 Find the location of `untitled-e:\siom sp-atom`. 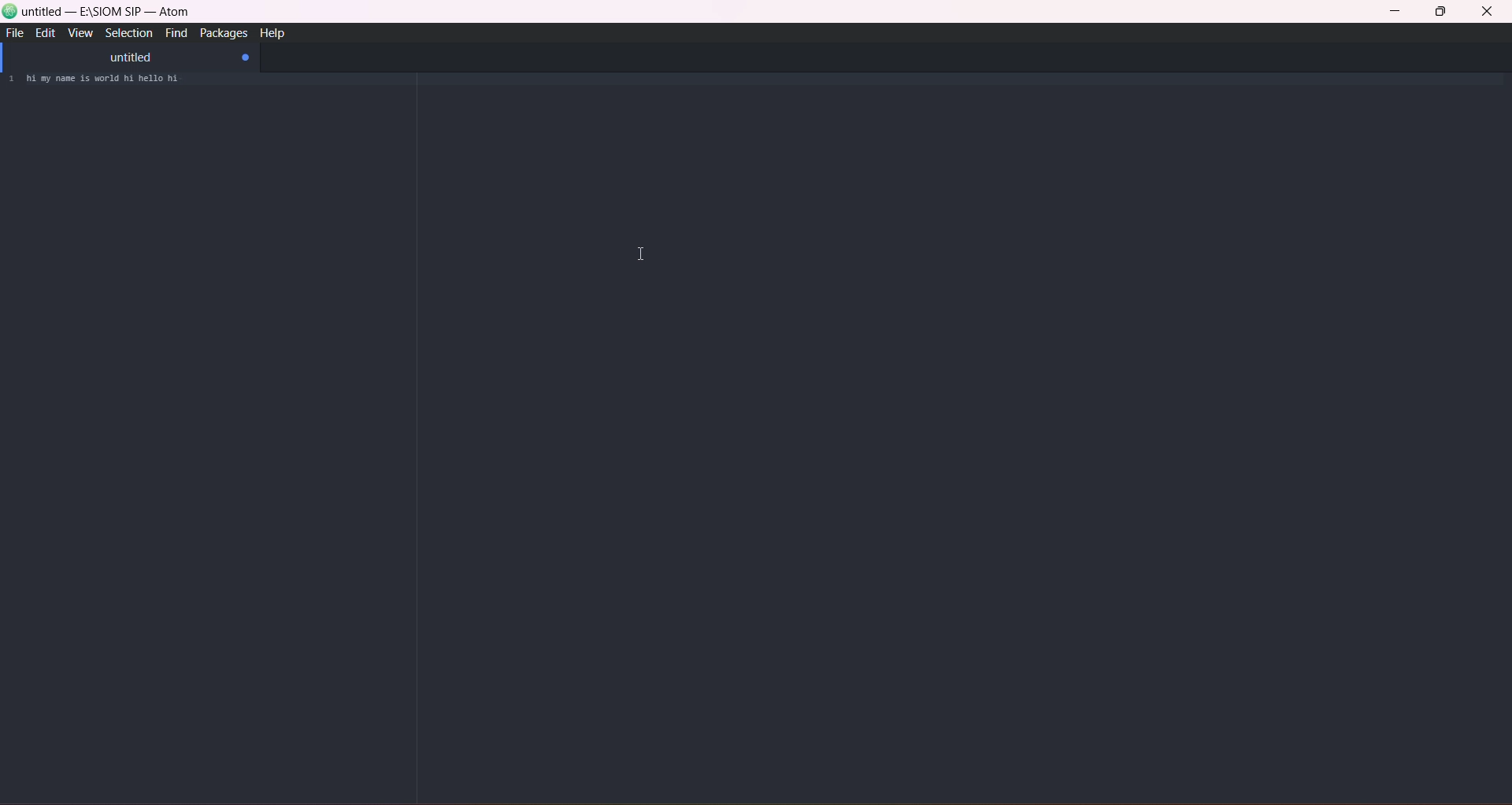

untitled-e:\siom sp-atom is located at coordinates (108, 13).